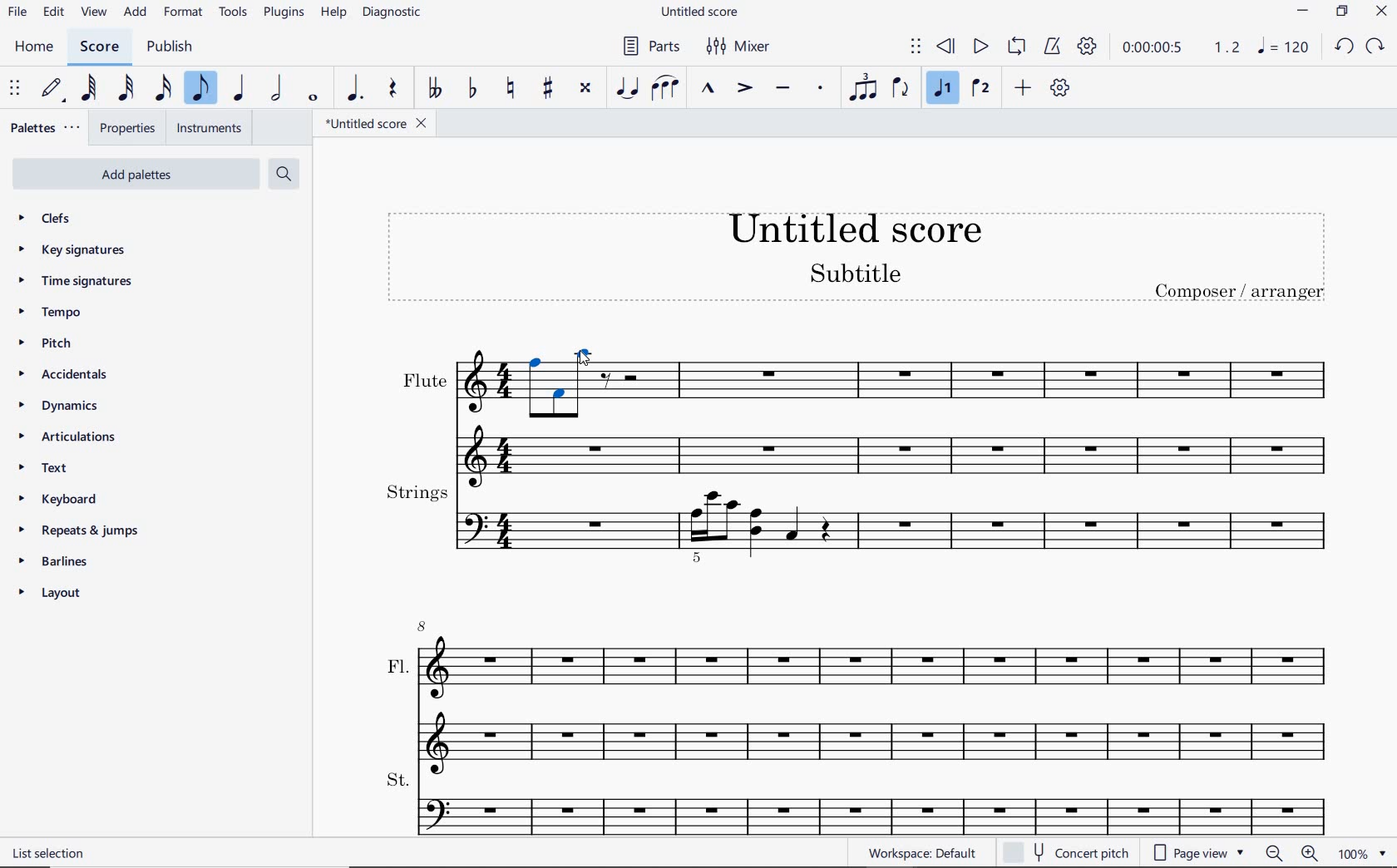  Describe the element at coordinates (474, 86) in the screenshot. I see `TOGGLE FLAT` at that location.